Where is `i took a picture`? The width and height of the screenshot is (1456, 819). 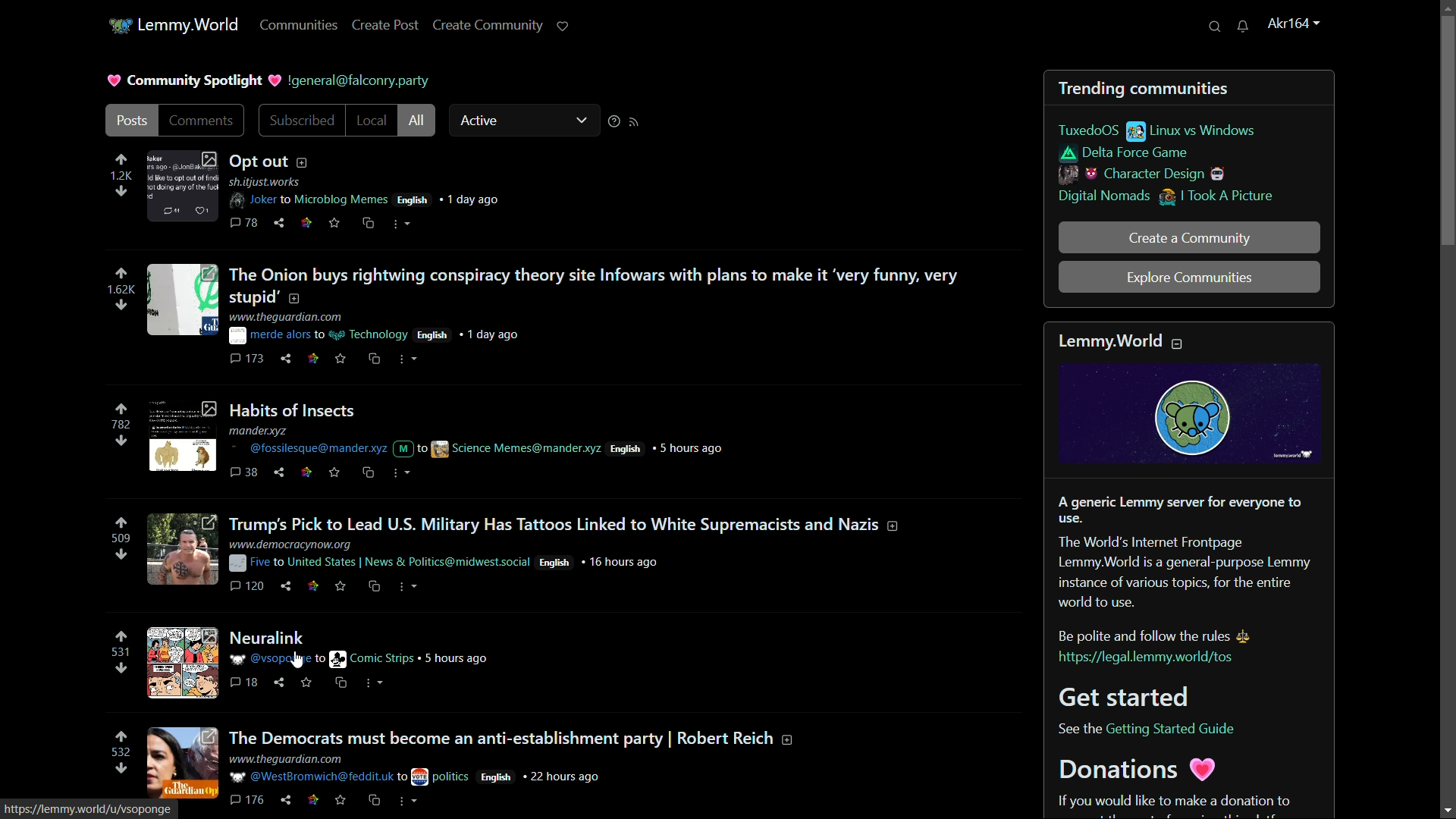
i took a picture is located at coordinates (1232, 196).